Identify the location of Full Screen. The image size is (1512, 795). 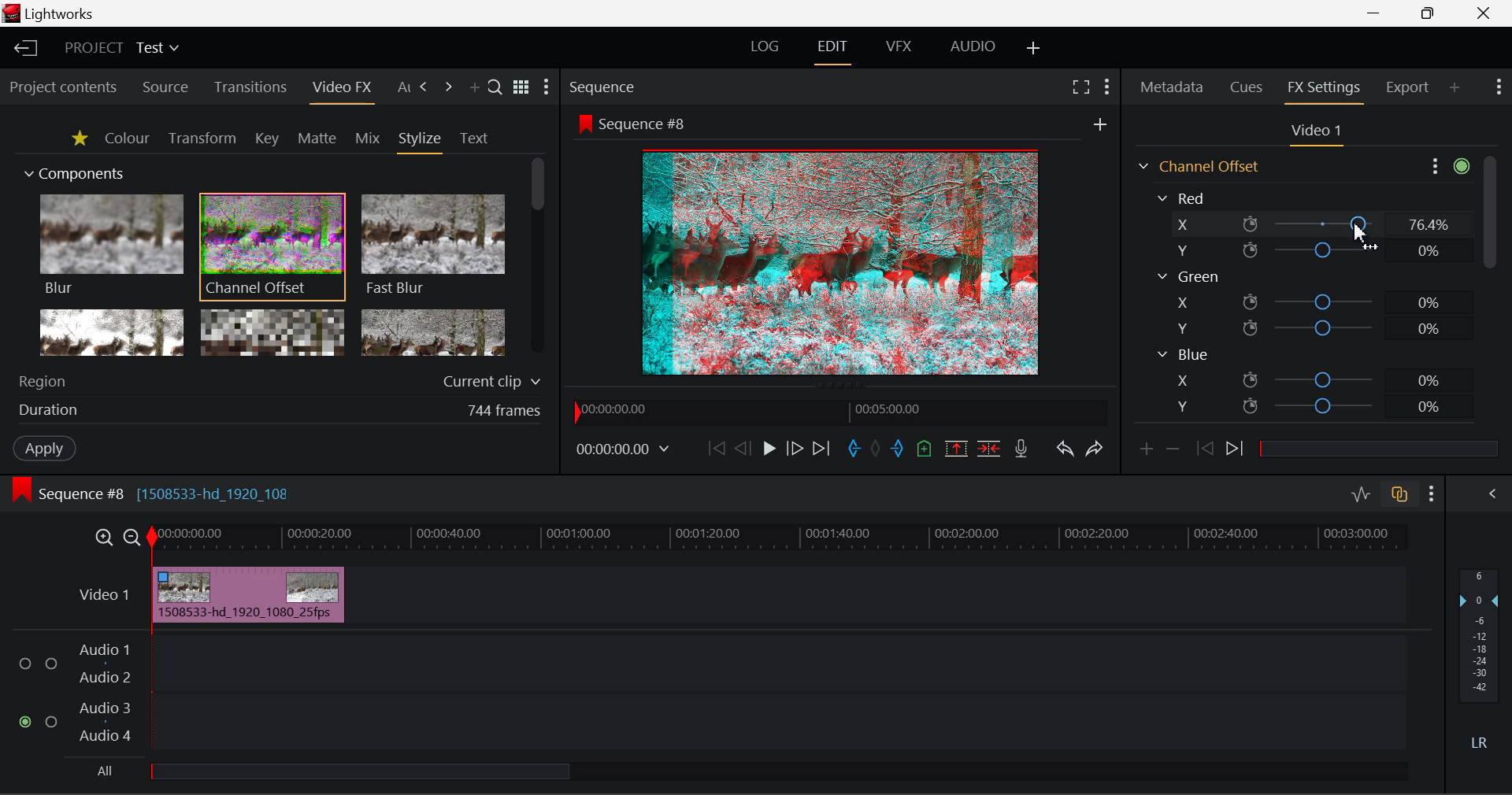
(1082, 89).